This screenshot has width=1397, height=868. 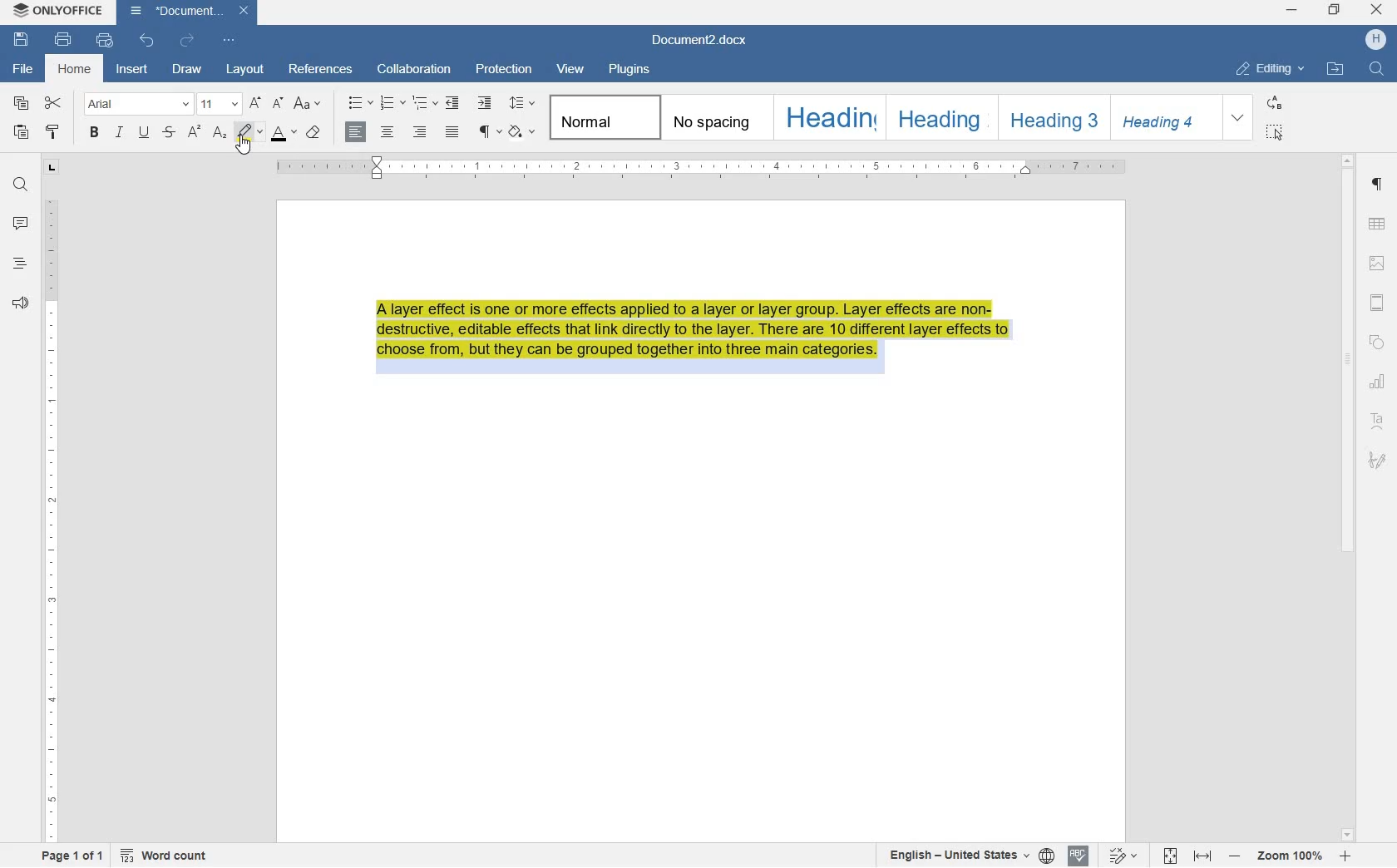 I want to click on DRAW, so click(x=187, y=69).